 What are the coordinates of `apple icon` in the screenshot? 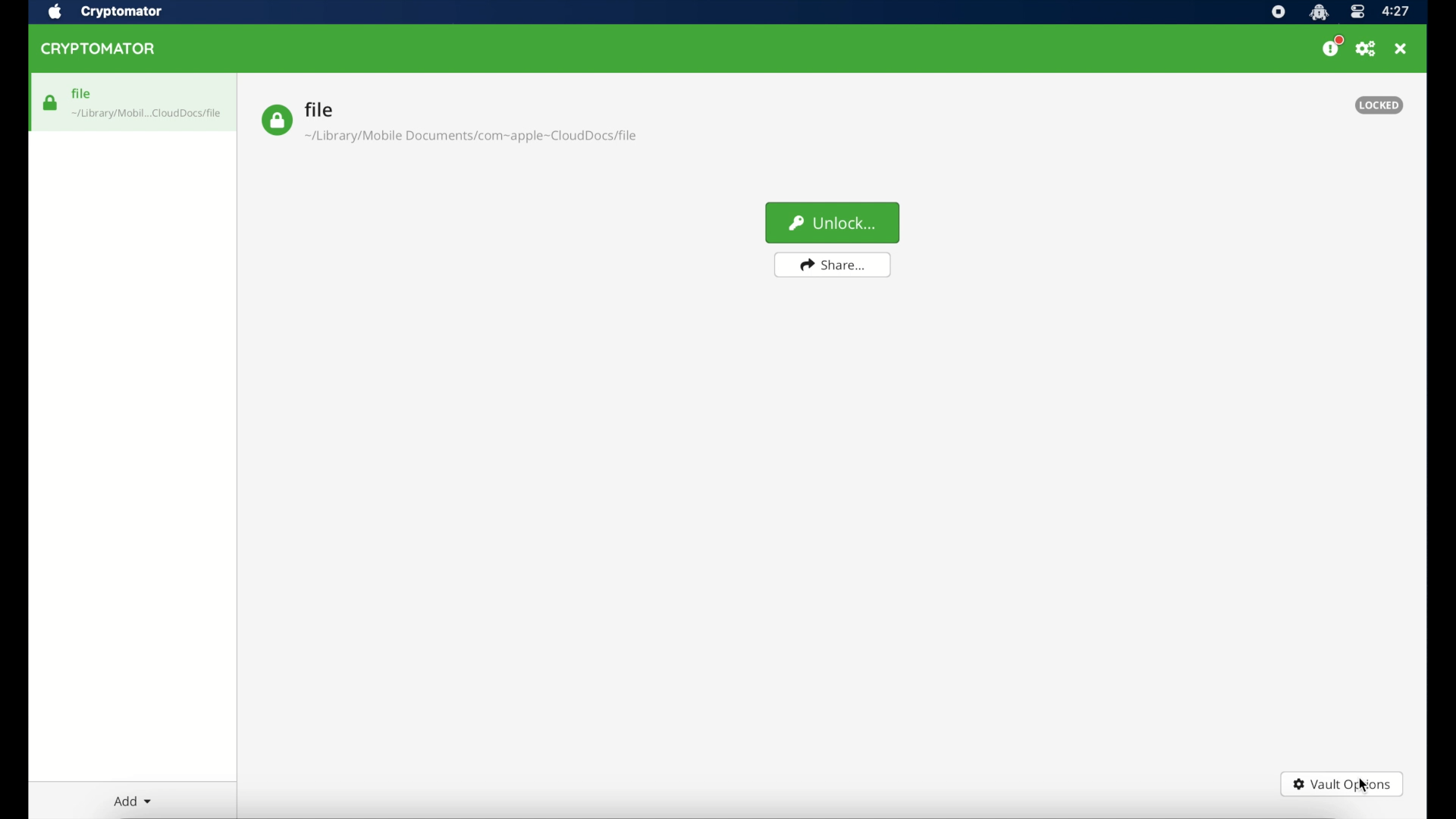 It's located at (55, 12).